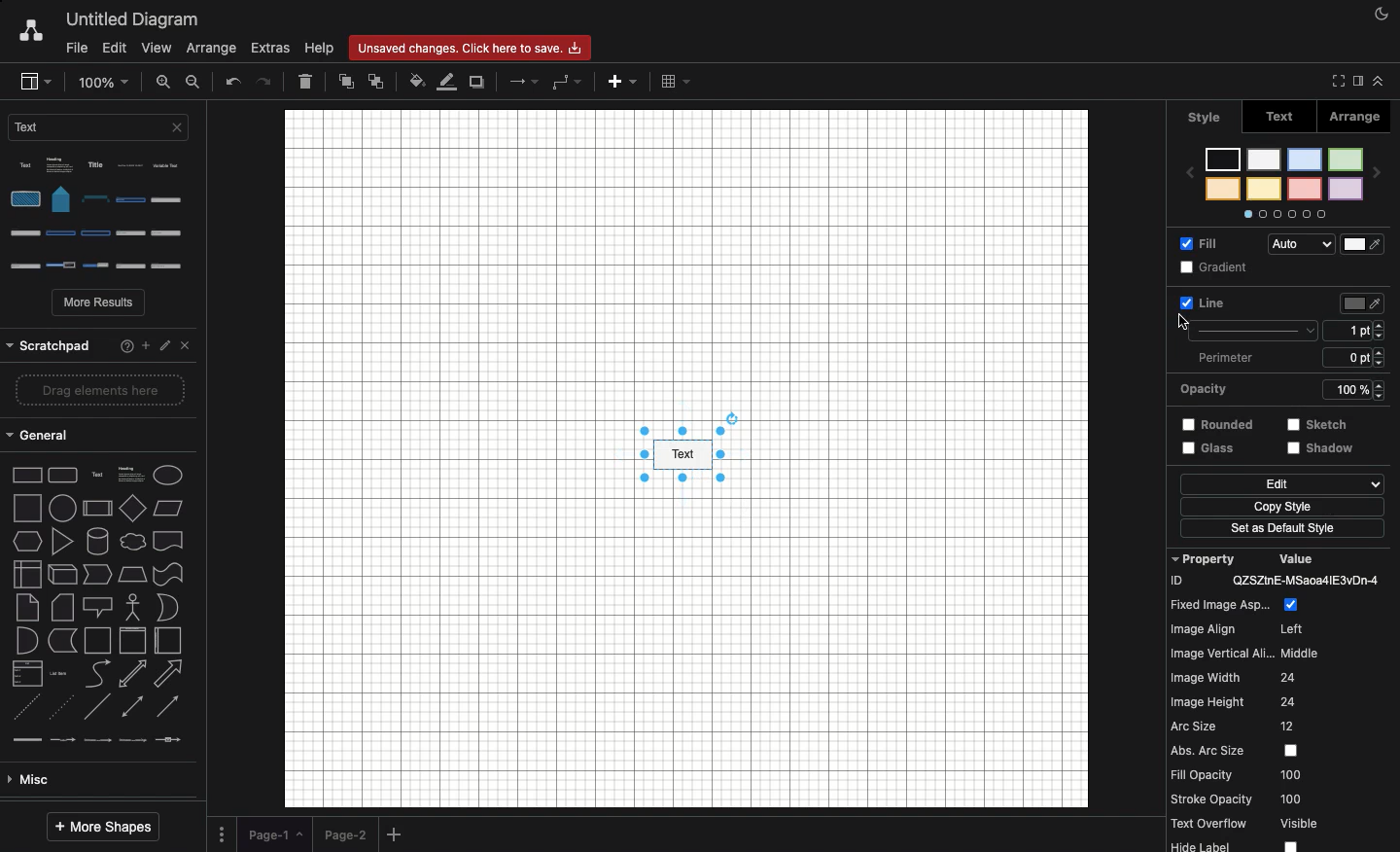 The height and width of the screenshot is (852, 1400). What do you see at coordinates (344, 834) in the screenshot?
I see `Page 2` at bounding box center [344, 834].